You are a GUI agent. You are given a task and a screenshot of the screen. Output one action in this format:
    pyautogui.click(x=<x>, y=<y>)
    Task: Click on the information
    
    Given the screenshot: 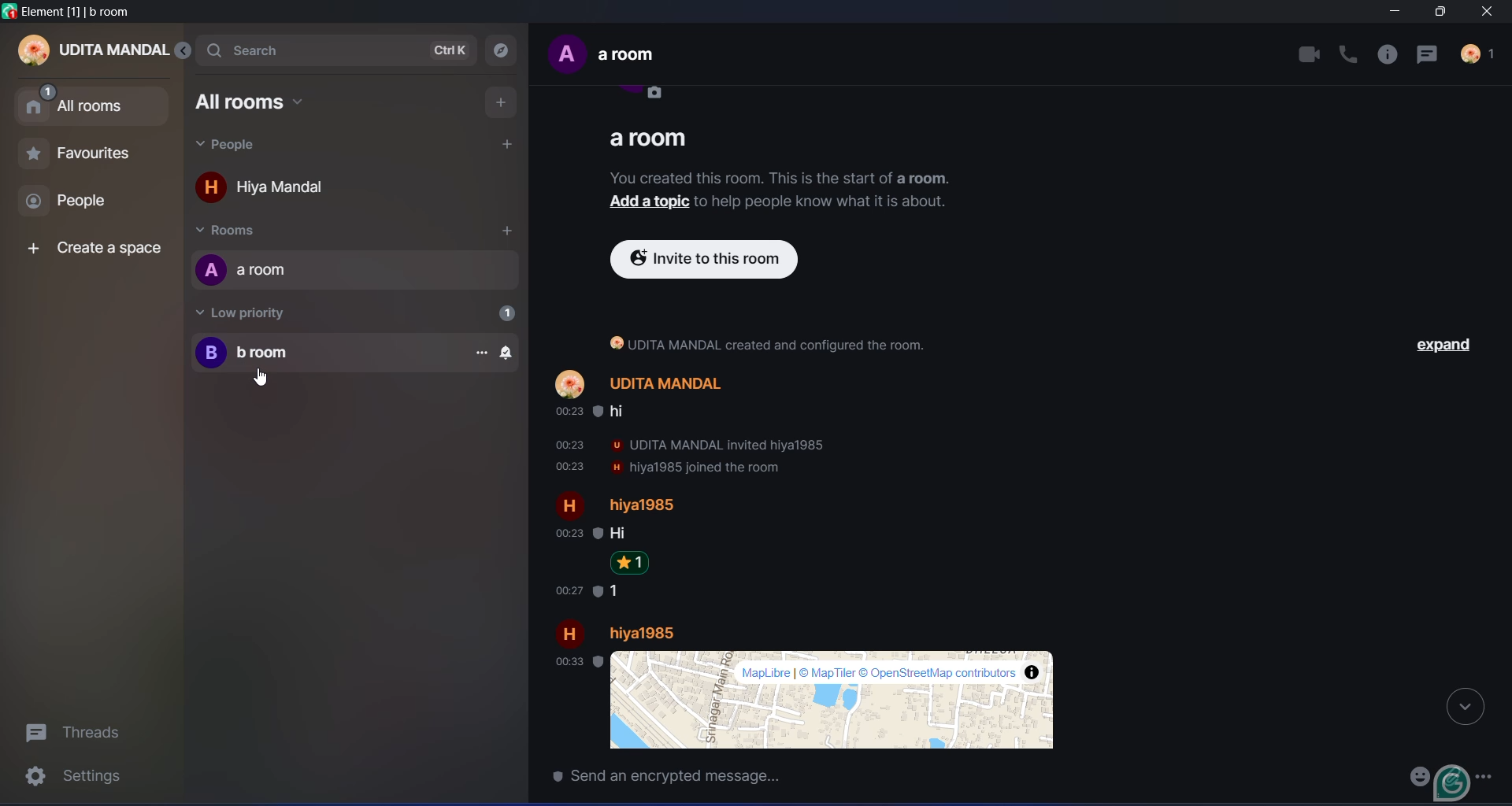 What is the action you would take?
    pyautogui.click(x=1390, y=55)
    